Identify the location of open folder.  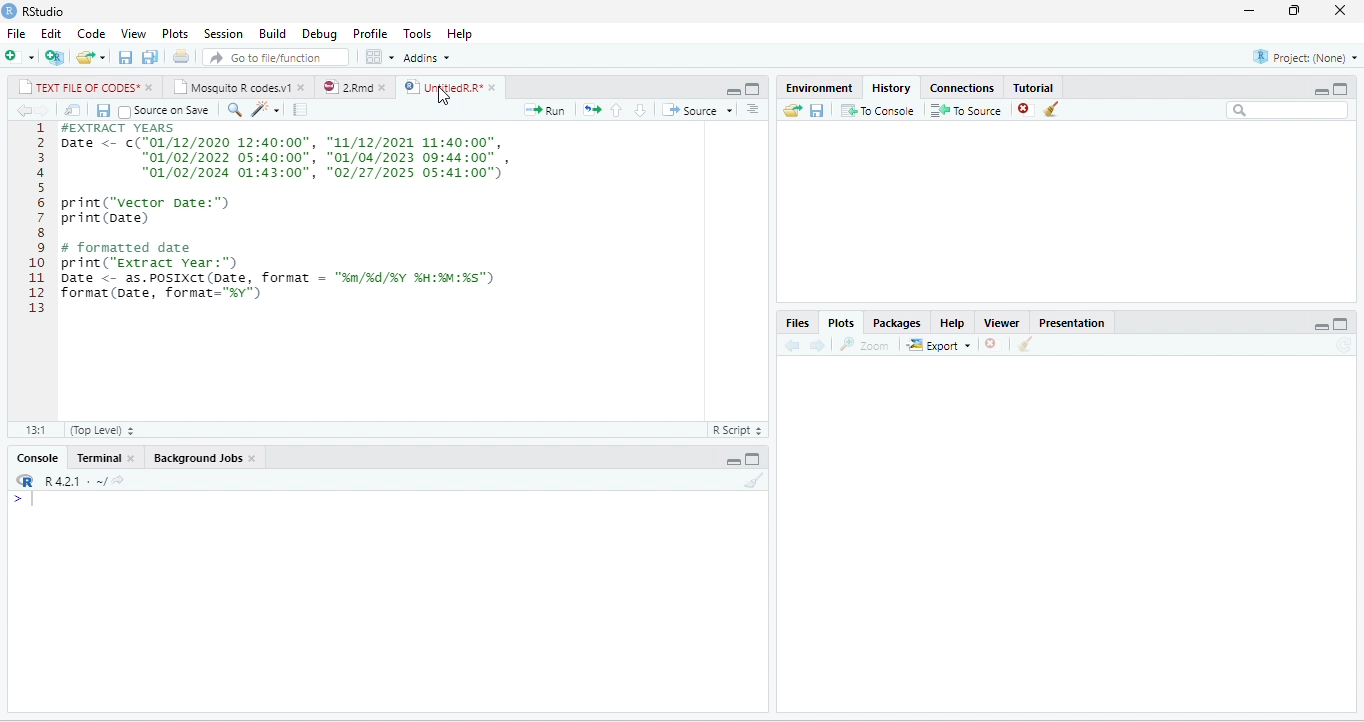
(793, 110).